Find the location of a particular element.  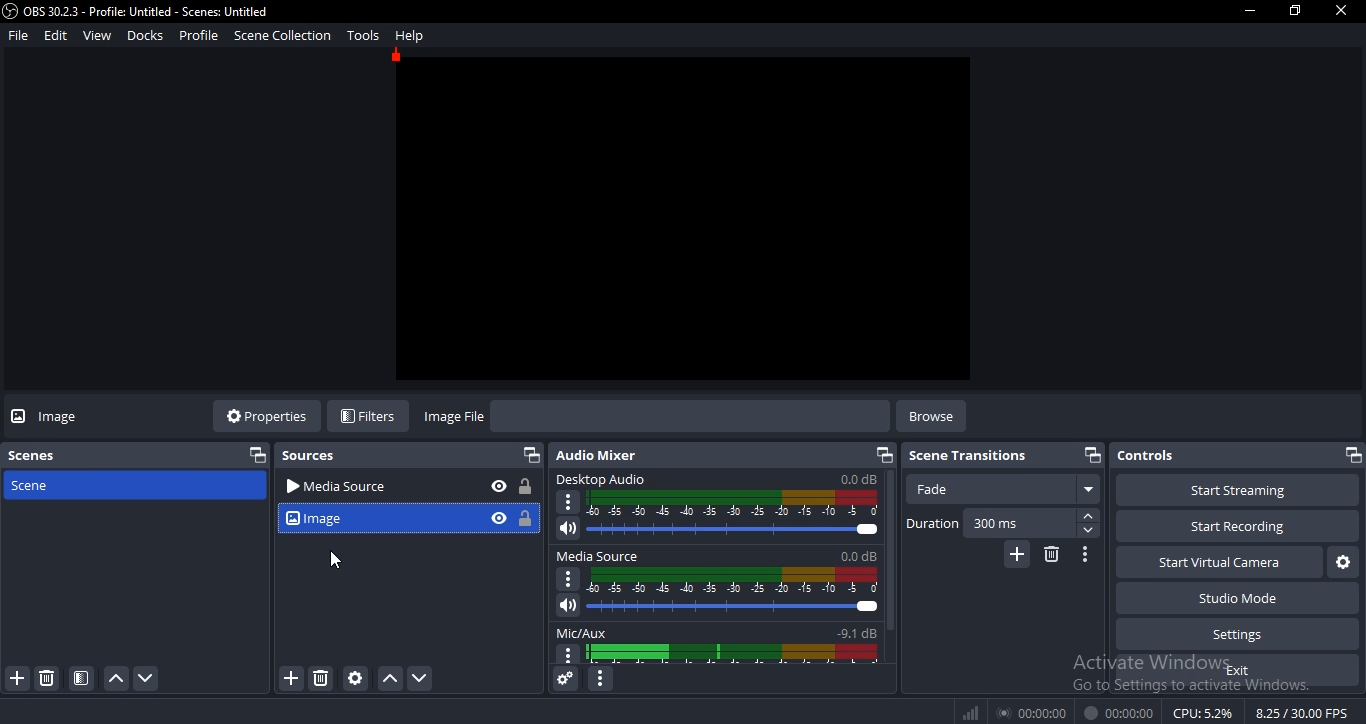

profile is located at coordinates (197, 37).